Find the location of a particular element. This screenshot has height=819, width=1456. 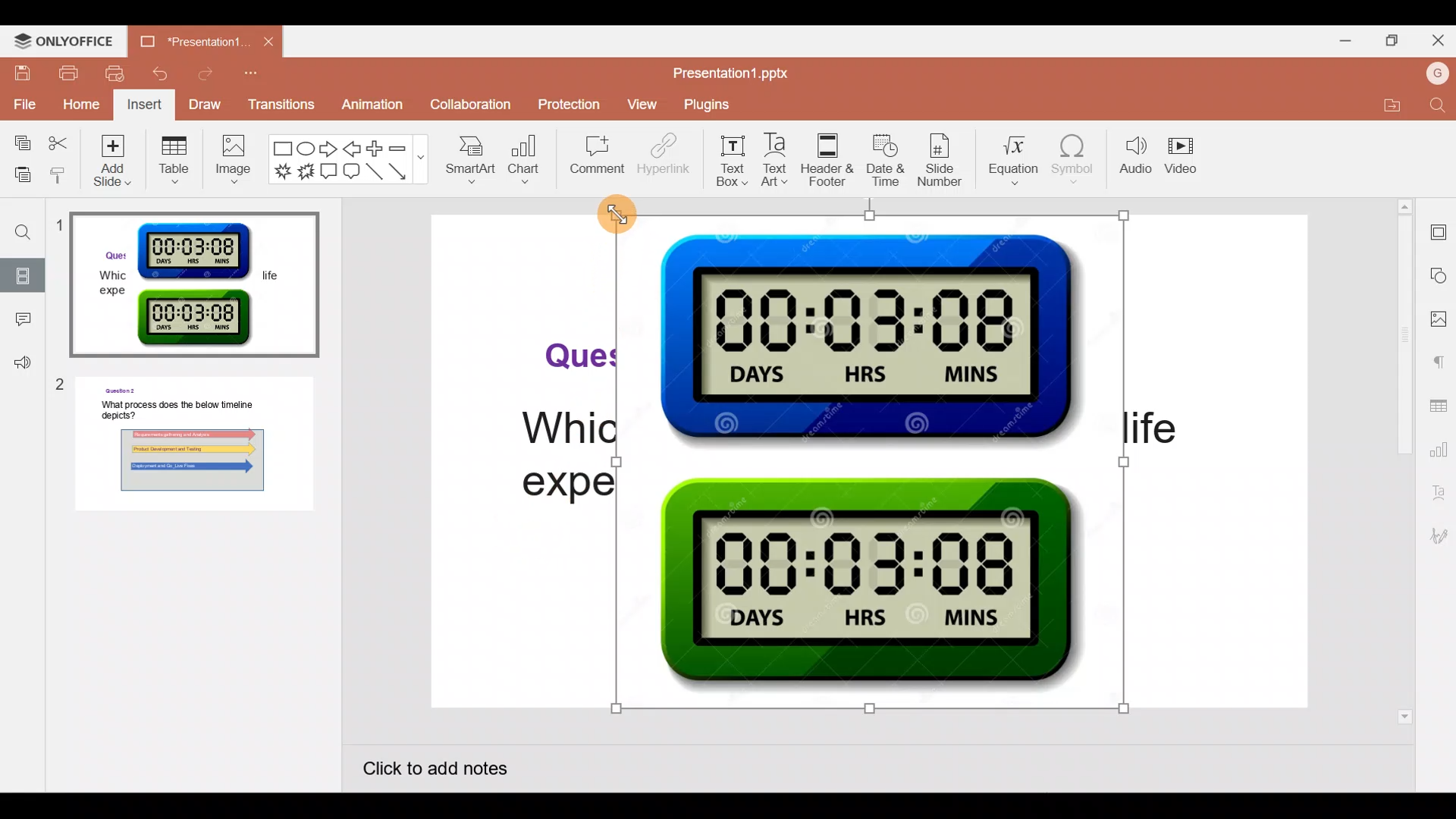

Image is located at coordinates (233, 162).